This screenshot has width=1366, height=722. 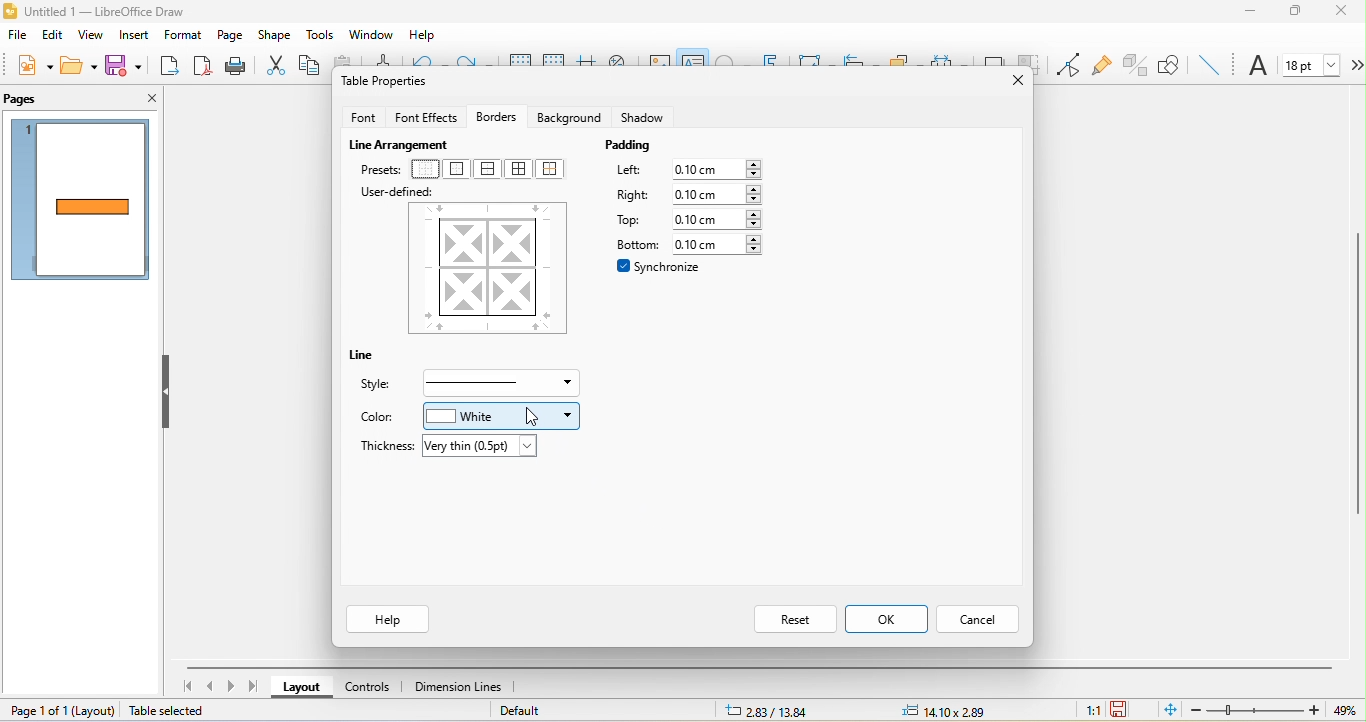 What do you see at coordinates (722, 168) in the screenshot?
I see `0.10 cm` at bounding box center [722, 168].